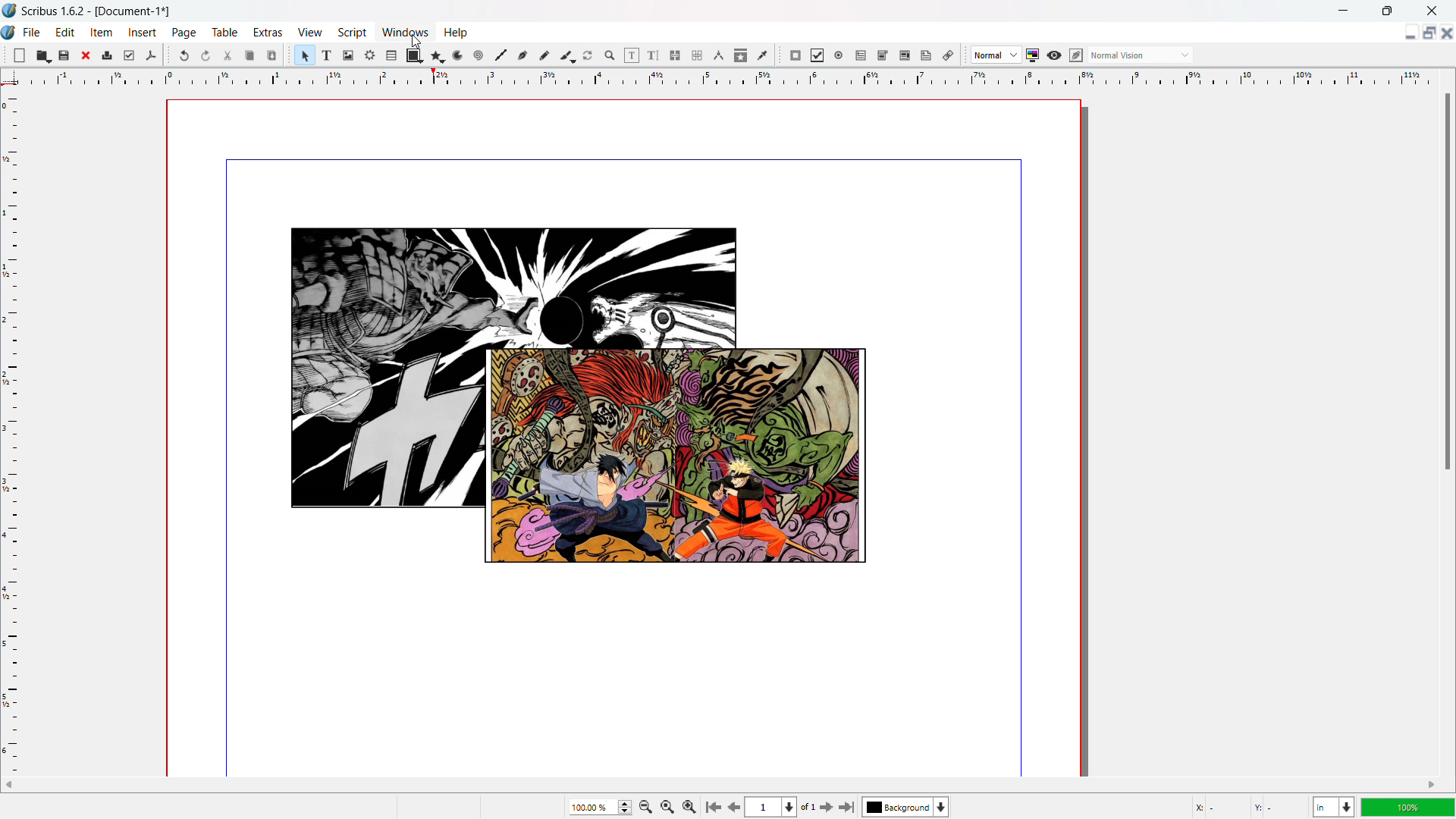 This screenshot has height=819, width=1456. Describe the element at coordinates (150, 55) in the screenshot. I see `save as pdf` at that location.